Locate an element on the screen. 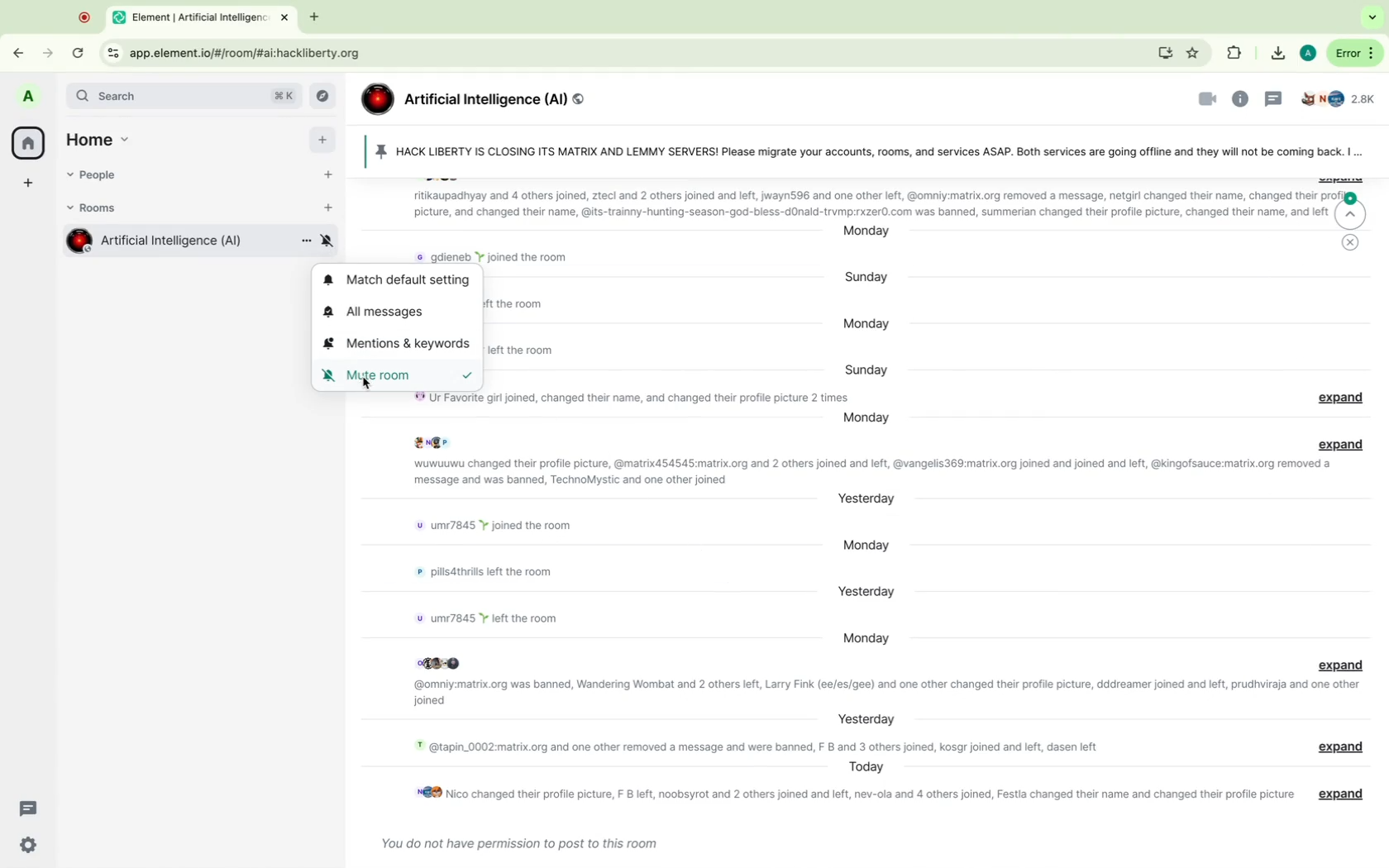  more is located at coordinates (302, 243).